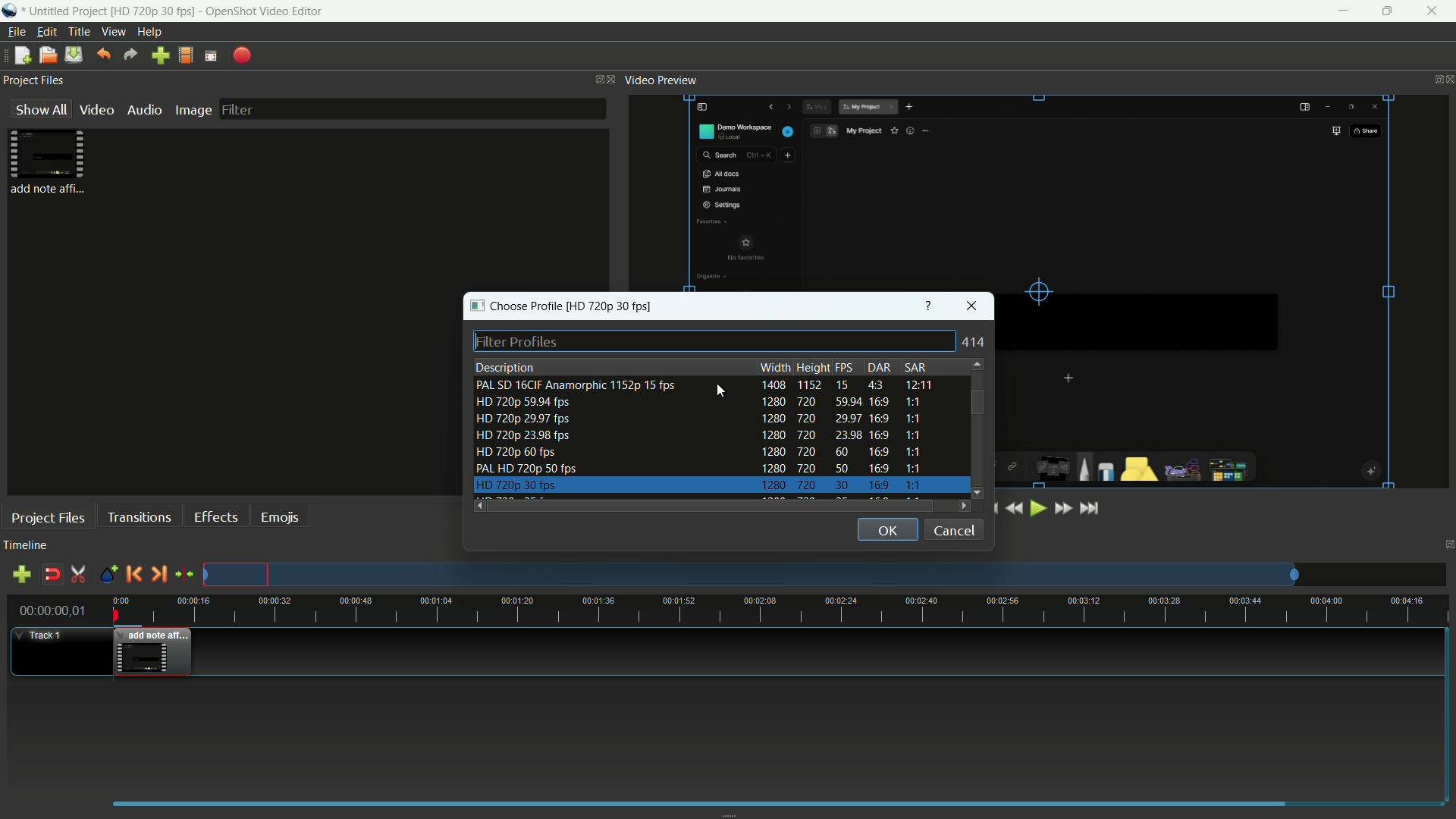 The image size is (1456, 819). I want to click on ok, so click(888, 529).